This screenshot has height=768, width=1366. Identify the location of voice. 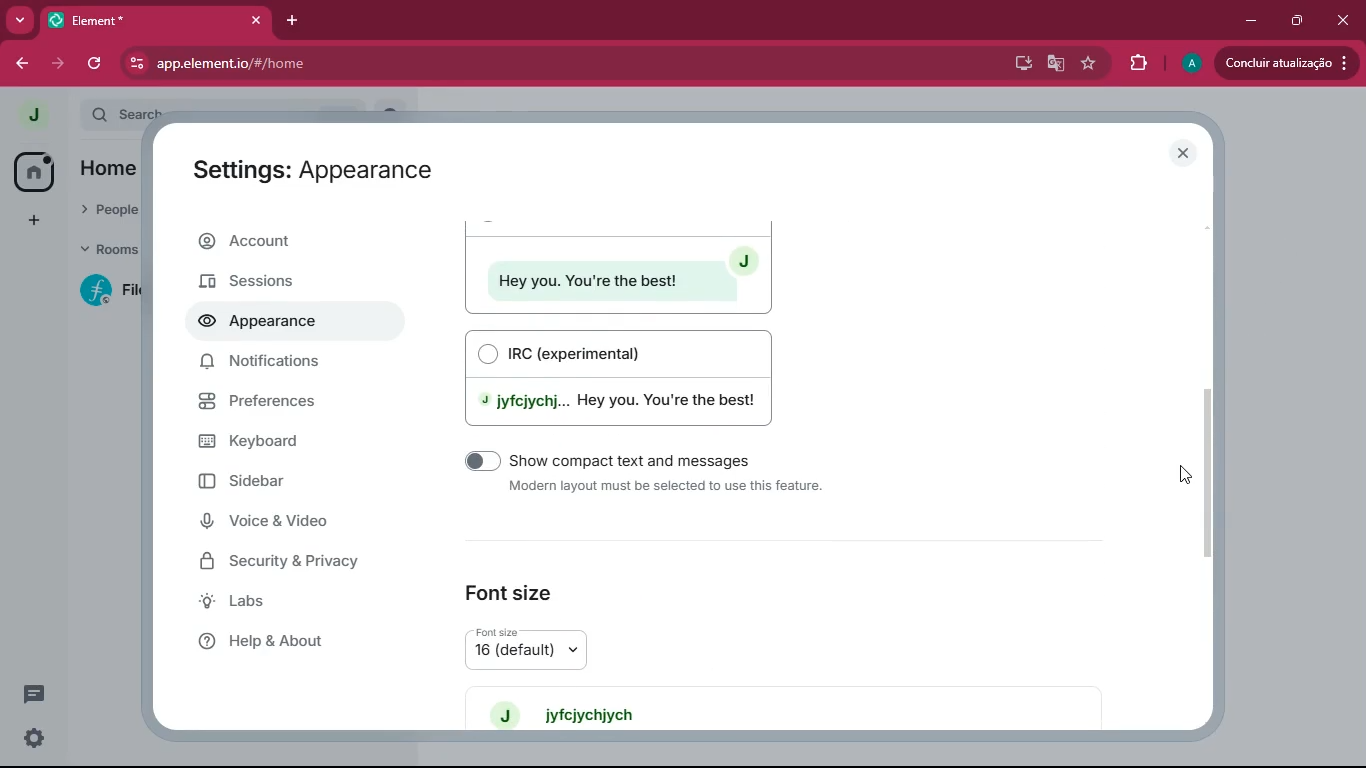
(286, 524).